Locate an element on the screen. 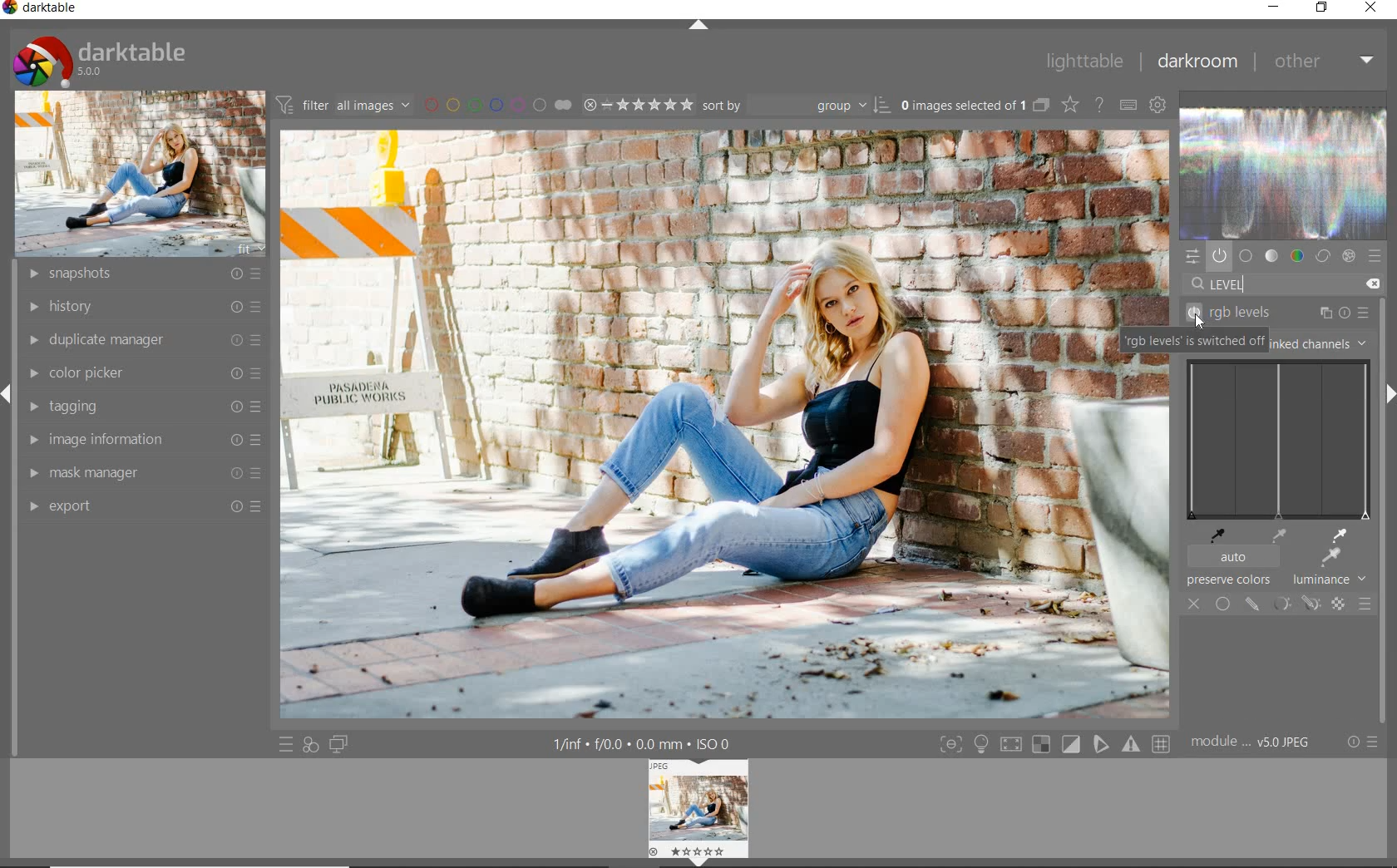  waveform is located at coordinates (1285, 172).